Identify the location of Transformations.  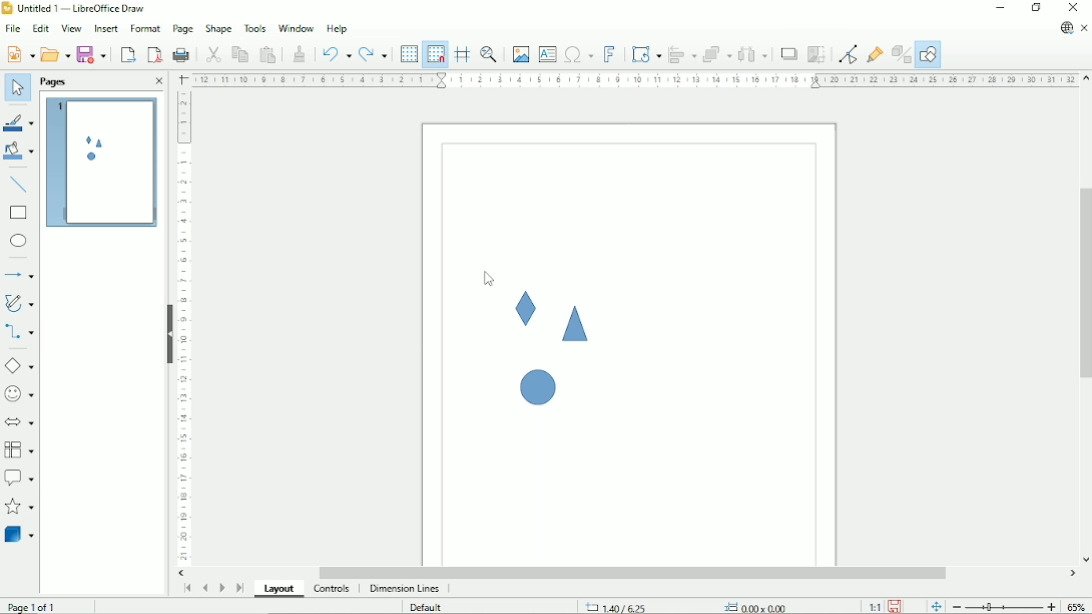
(646, 55).